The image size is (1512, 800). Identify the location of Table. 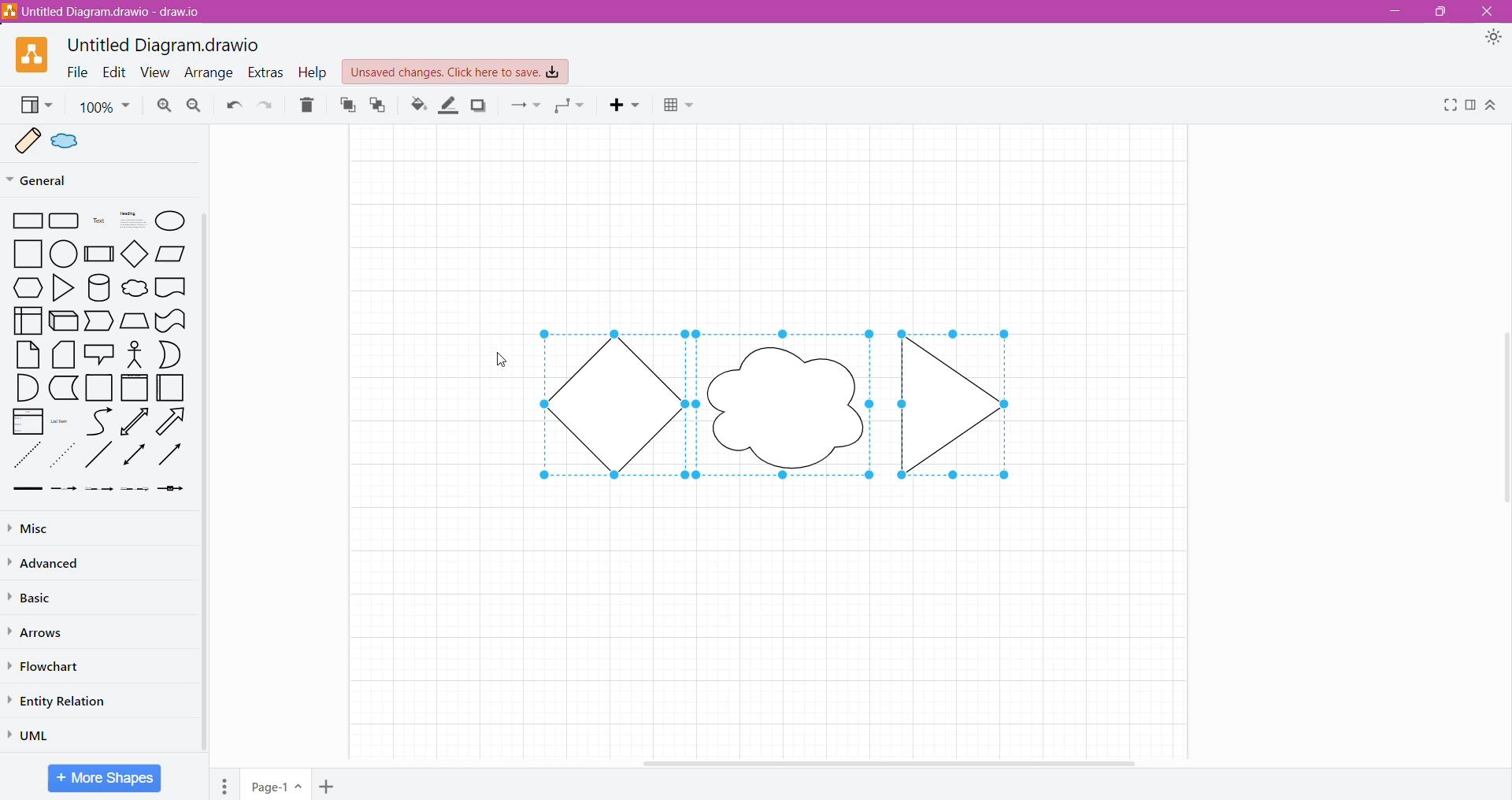
(681, 106).